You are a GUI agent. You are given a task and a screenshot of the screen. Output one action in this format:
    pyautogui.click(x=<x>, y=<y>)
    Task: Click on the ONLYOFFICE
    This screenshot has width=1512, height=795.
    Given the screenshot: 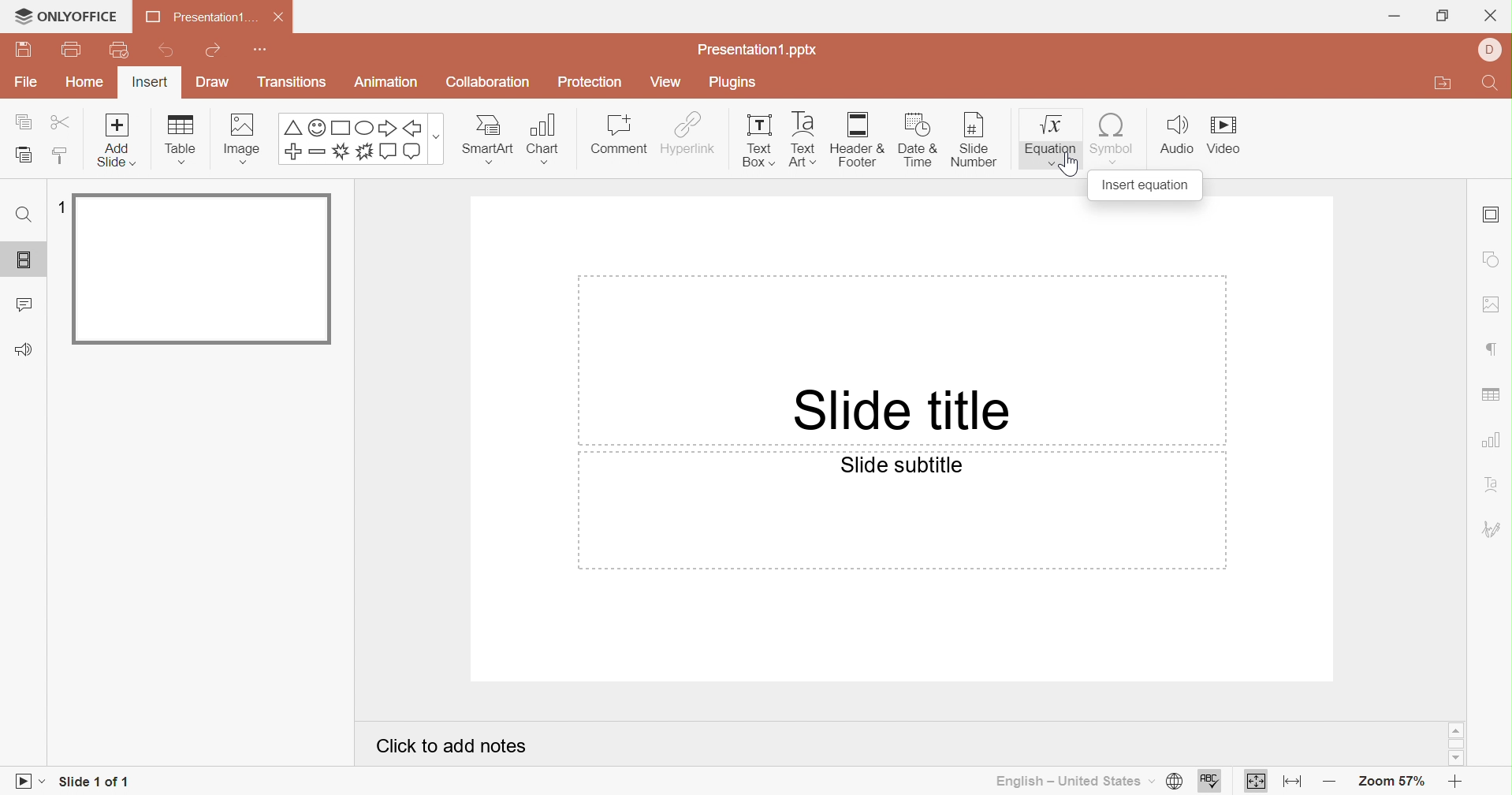 What is the action you would take?
    pyautogui.click(x=65, y=18)
    